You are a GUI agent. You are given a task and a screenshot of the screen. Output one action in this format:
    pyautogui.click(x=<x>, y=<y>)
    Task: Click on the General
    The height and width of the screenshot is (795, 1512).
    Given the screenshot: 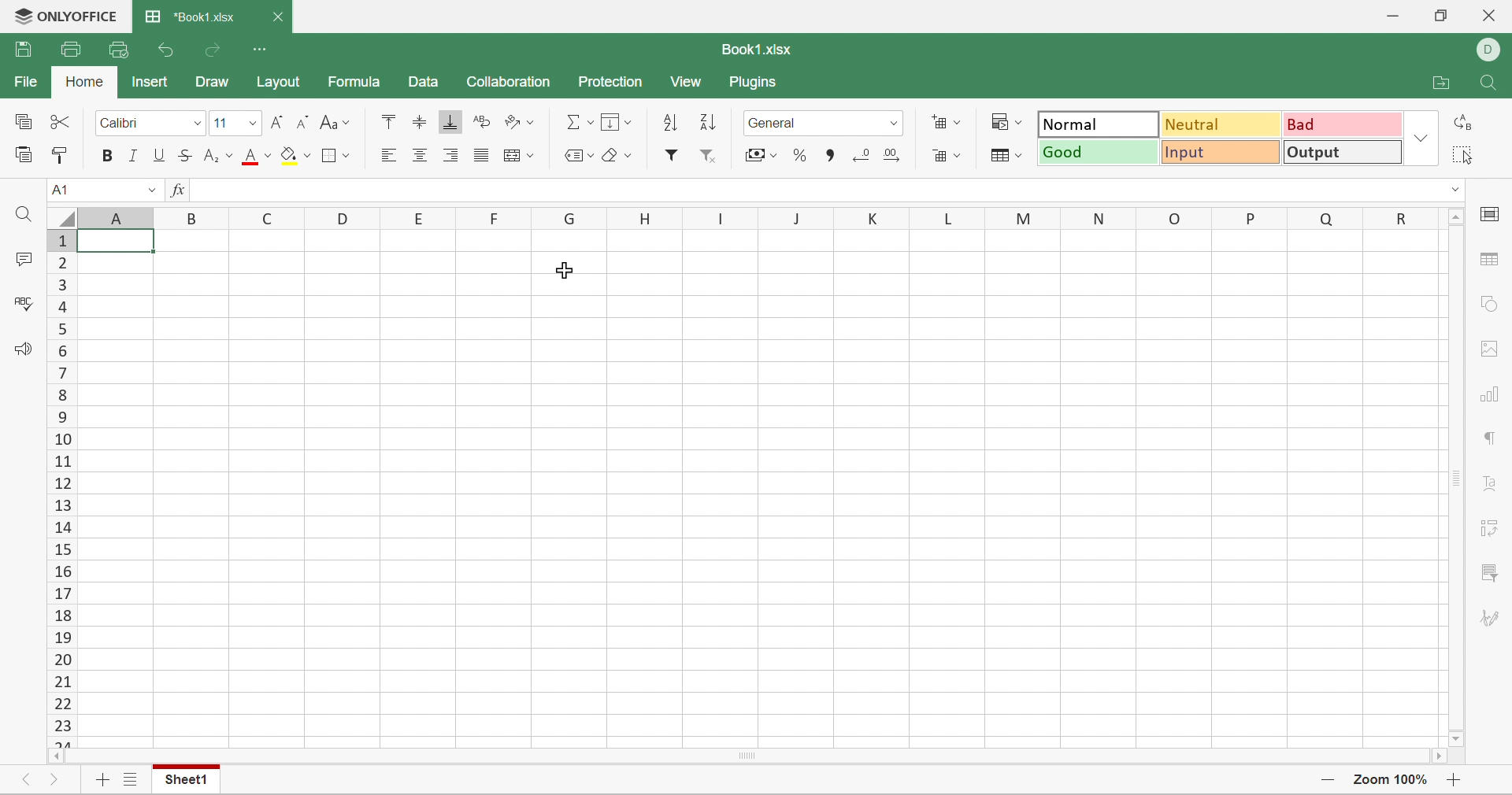 What is the action you would take?
    pyautogui.click(x=815, y=124)
    